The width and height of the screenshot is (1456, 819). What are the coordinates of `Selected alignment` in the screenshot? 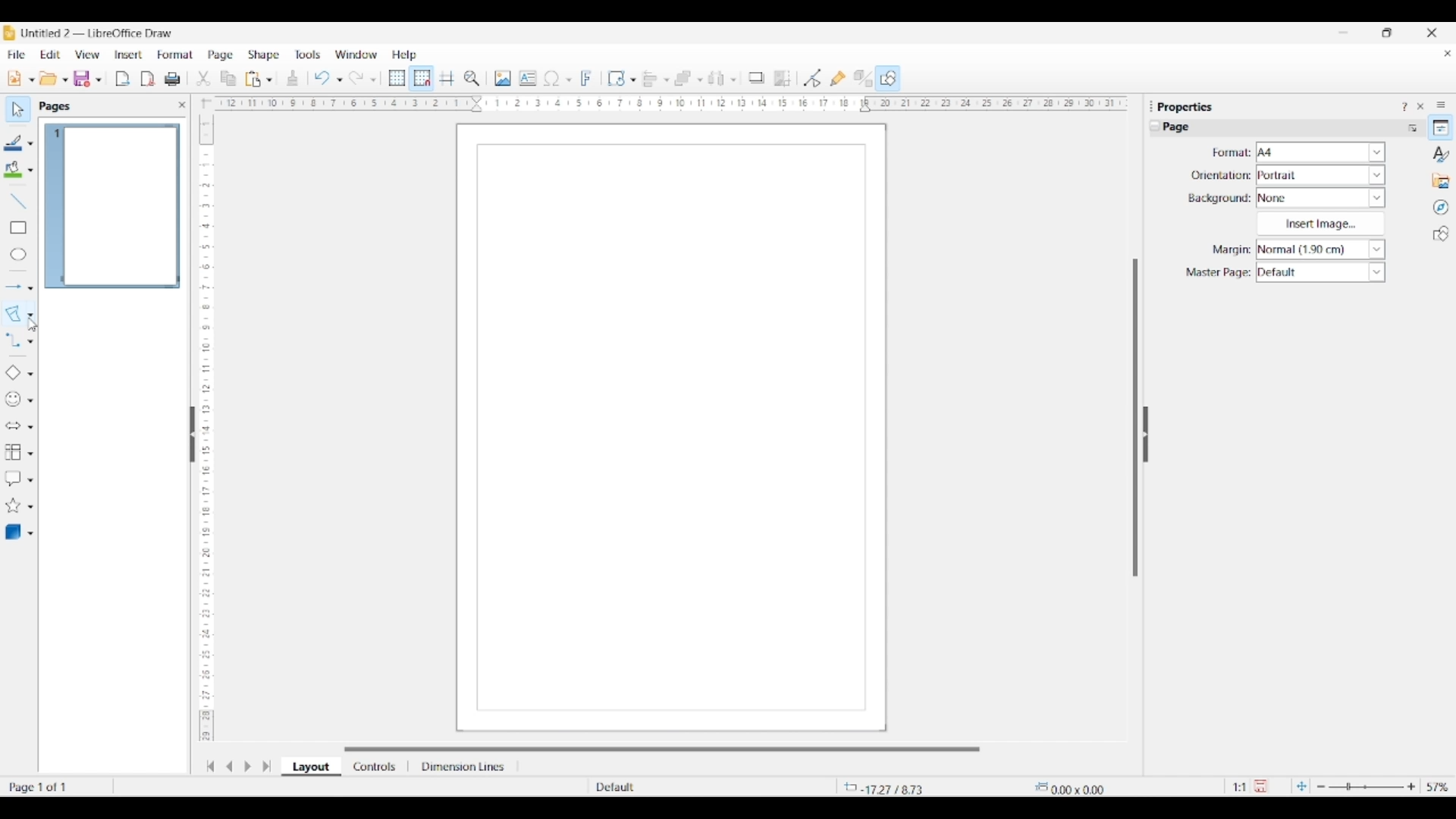 It's located at (647, 78).